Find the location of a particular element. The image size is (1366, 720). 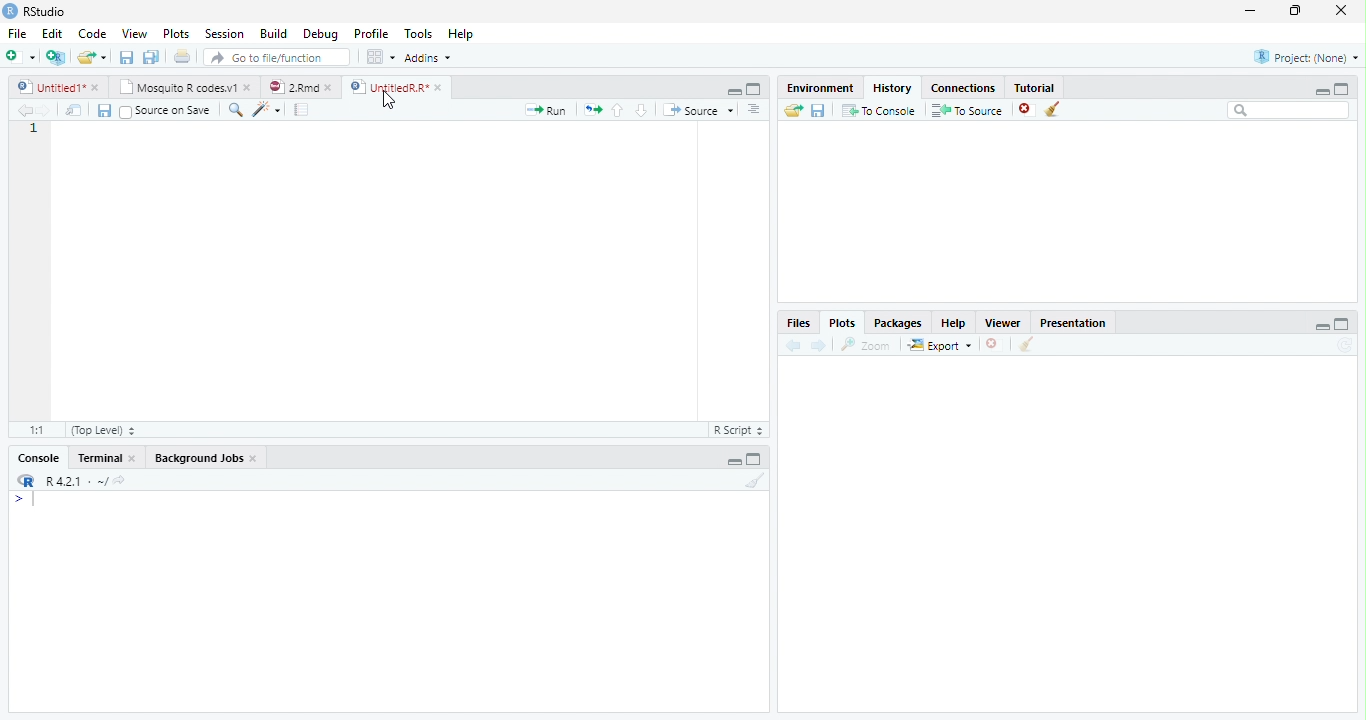

Maximize is located at coordinates (1341, 325).